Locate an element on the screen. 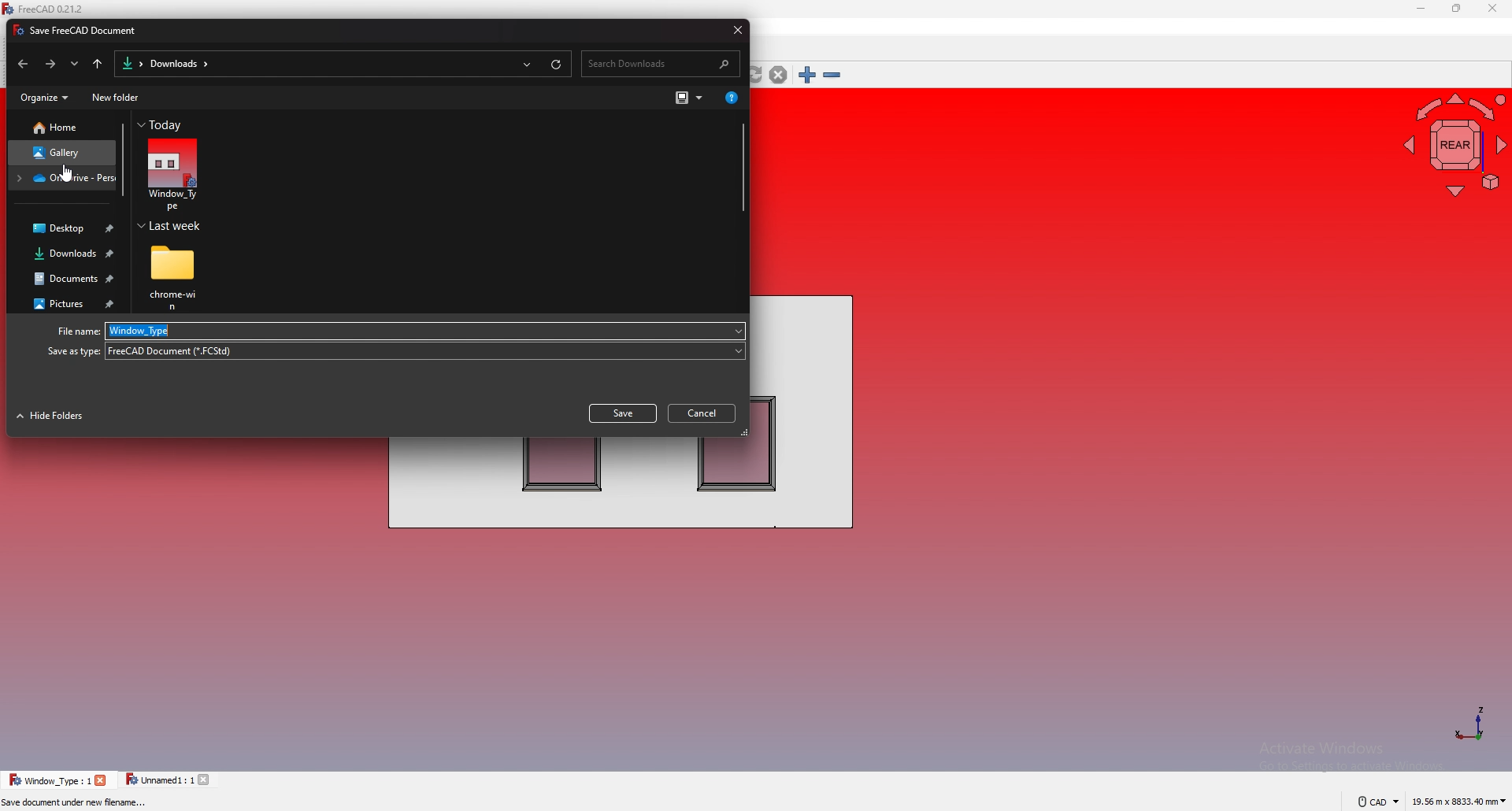 The width and height of the screenshot is (1512, 811). scroll bar is located at coordinates (741, 168).